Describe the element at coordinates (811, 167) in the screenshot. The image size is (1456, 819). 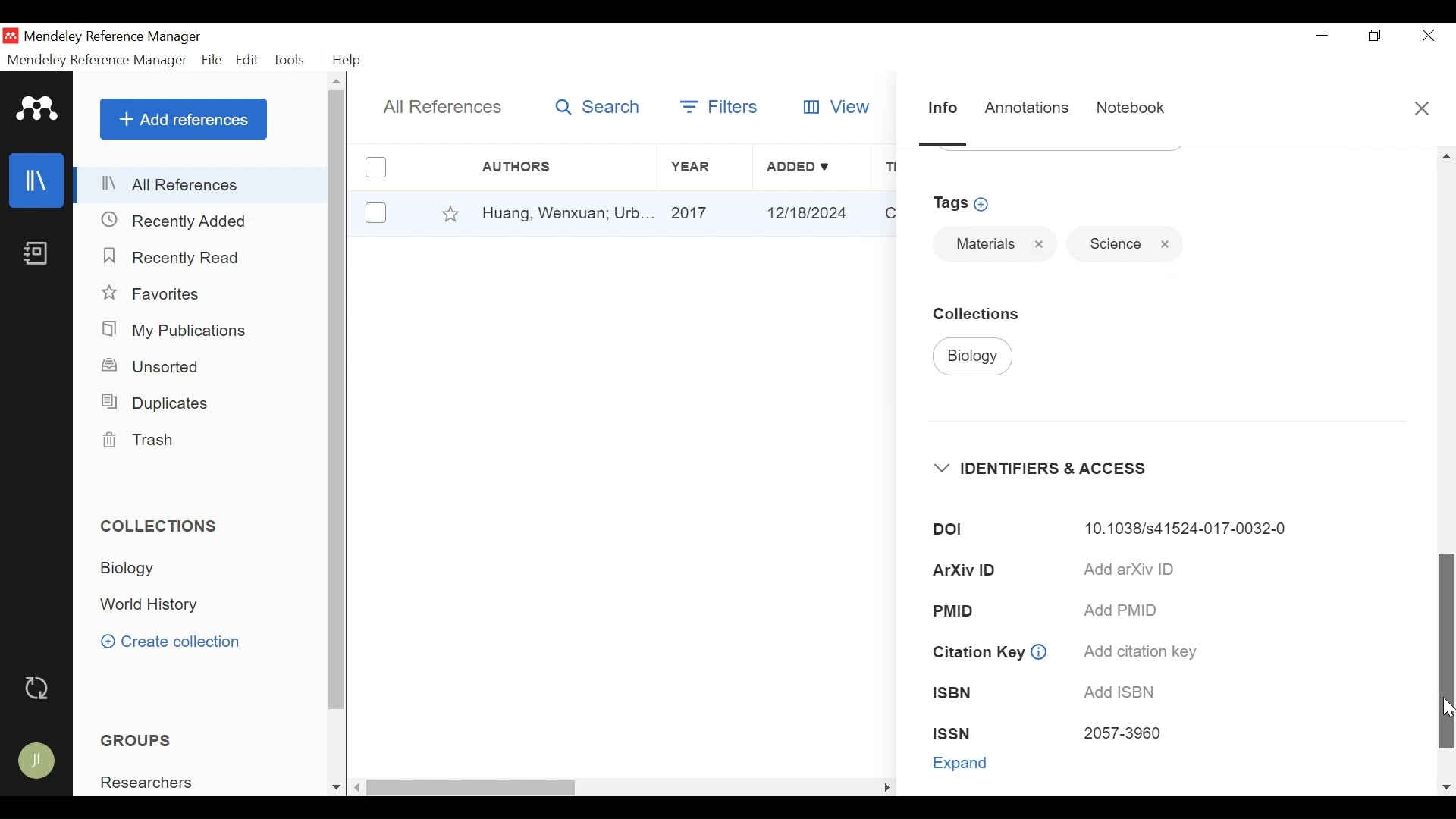
I see `Added` at that location.